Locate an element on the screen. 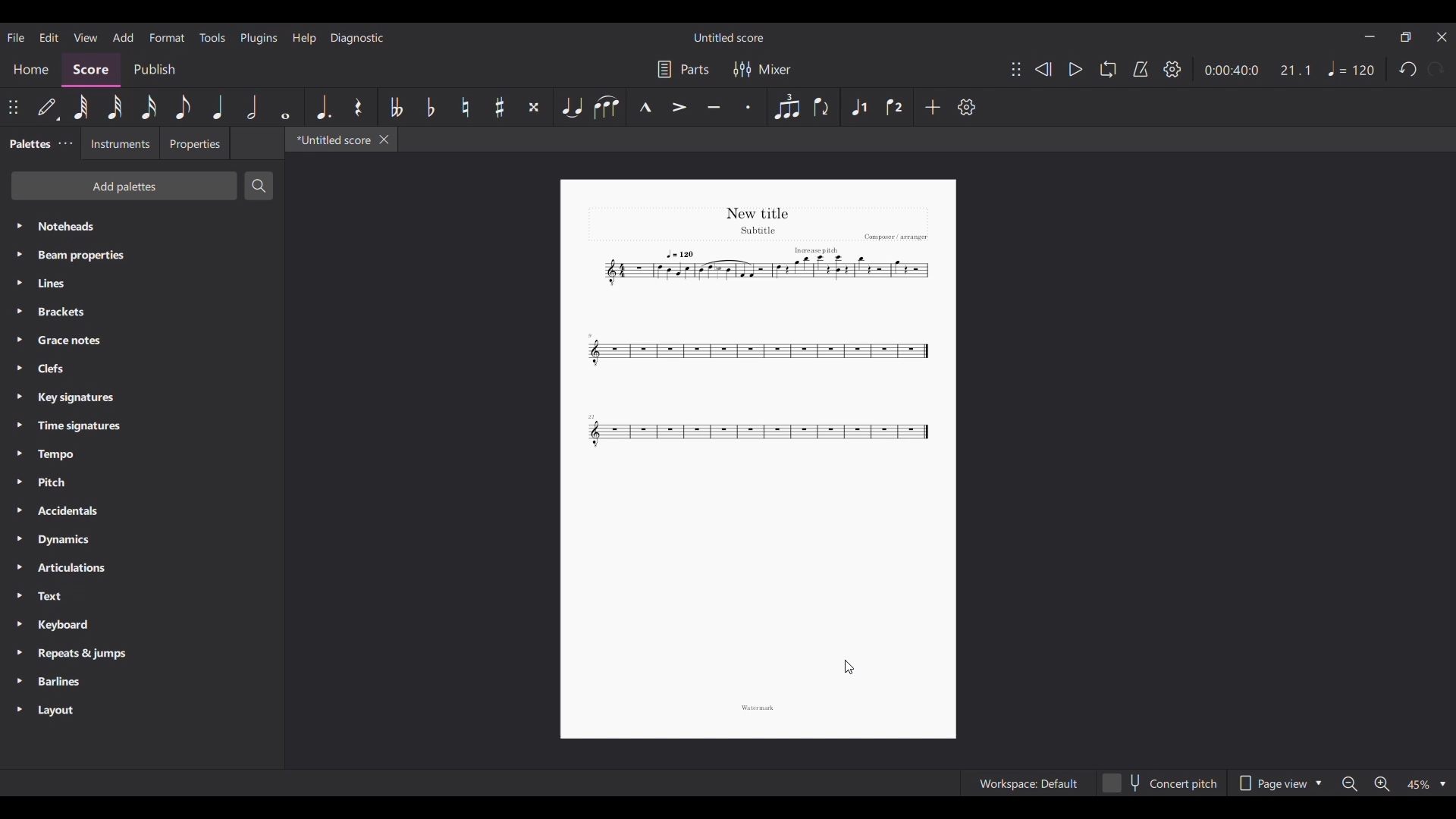  Settings is located at coordinates (1172, 69).